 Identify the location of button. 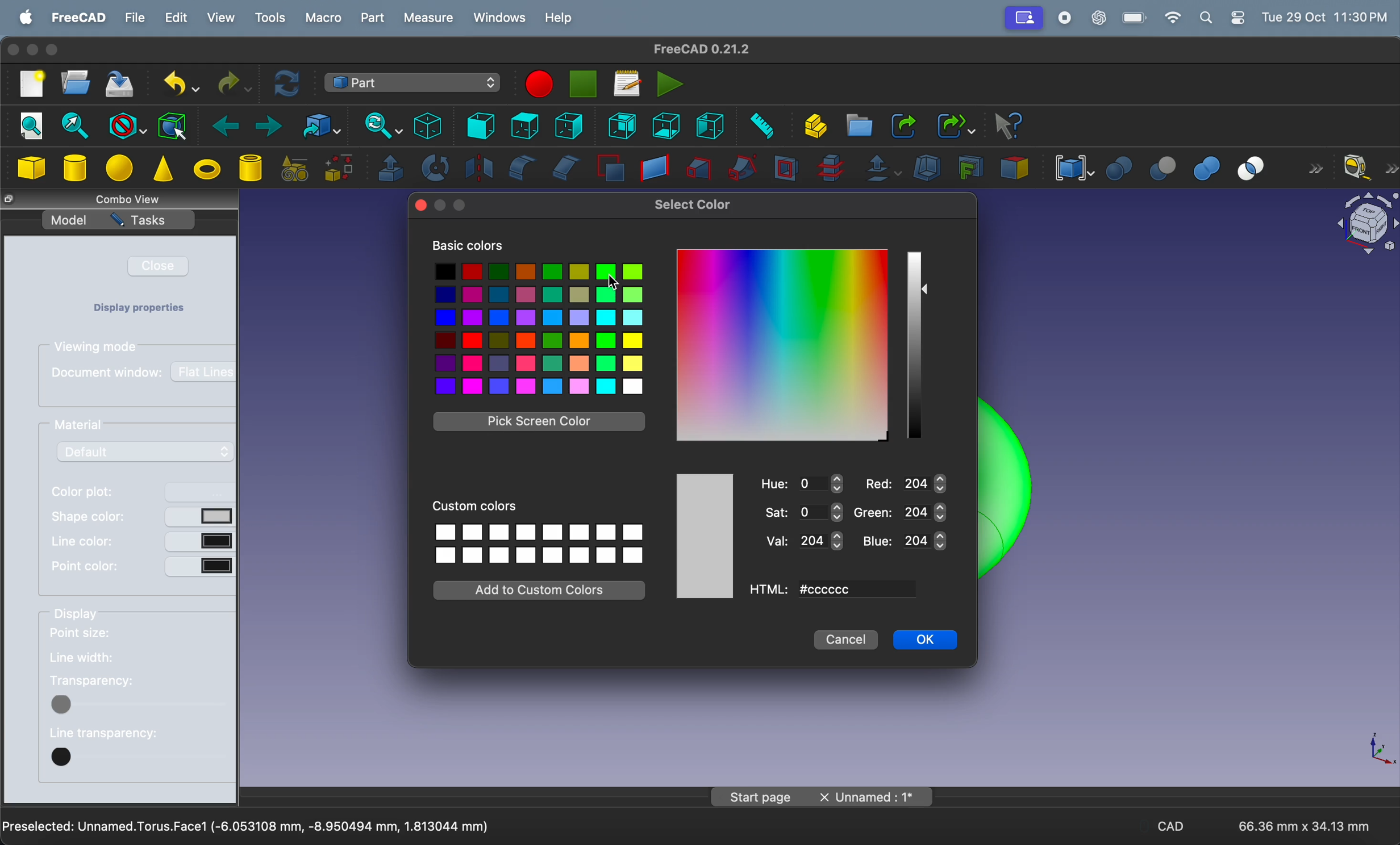
(201, 567).